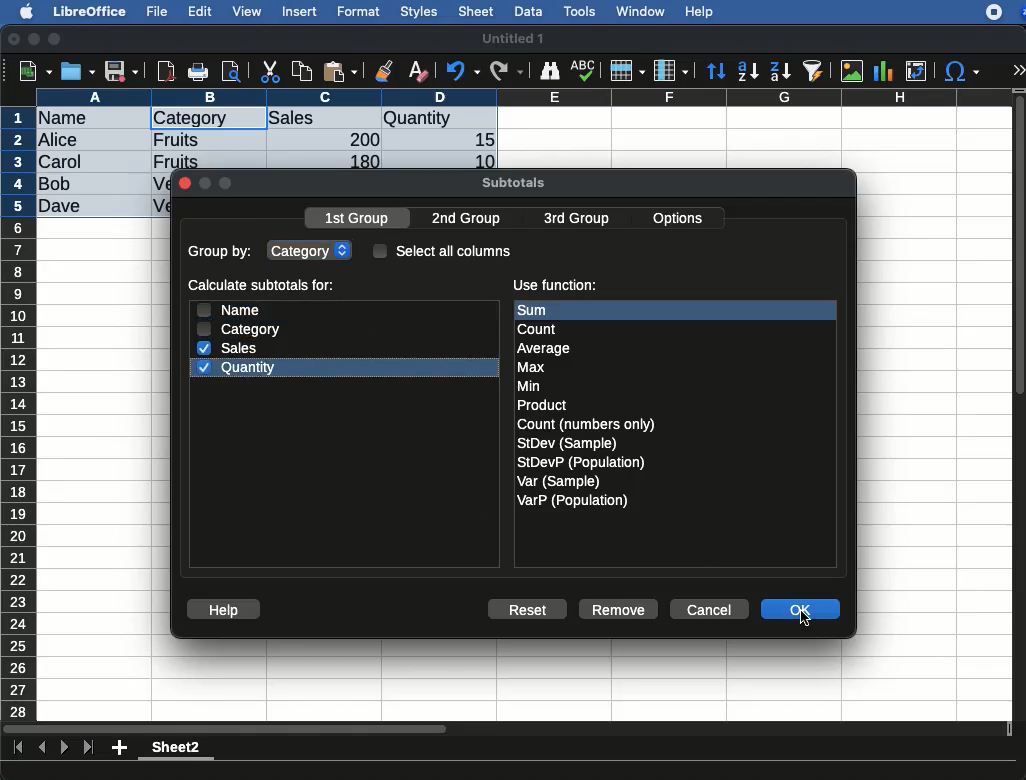 The height and width of the screenshot is (780, 1026). What do you see at coordinates (68, 119) in the screenshot?
I see `name` at bounding box center [68, 119].